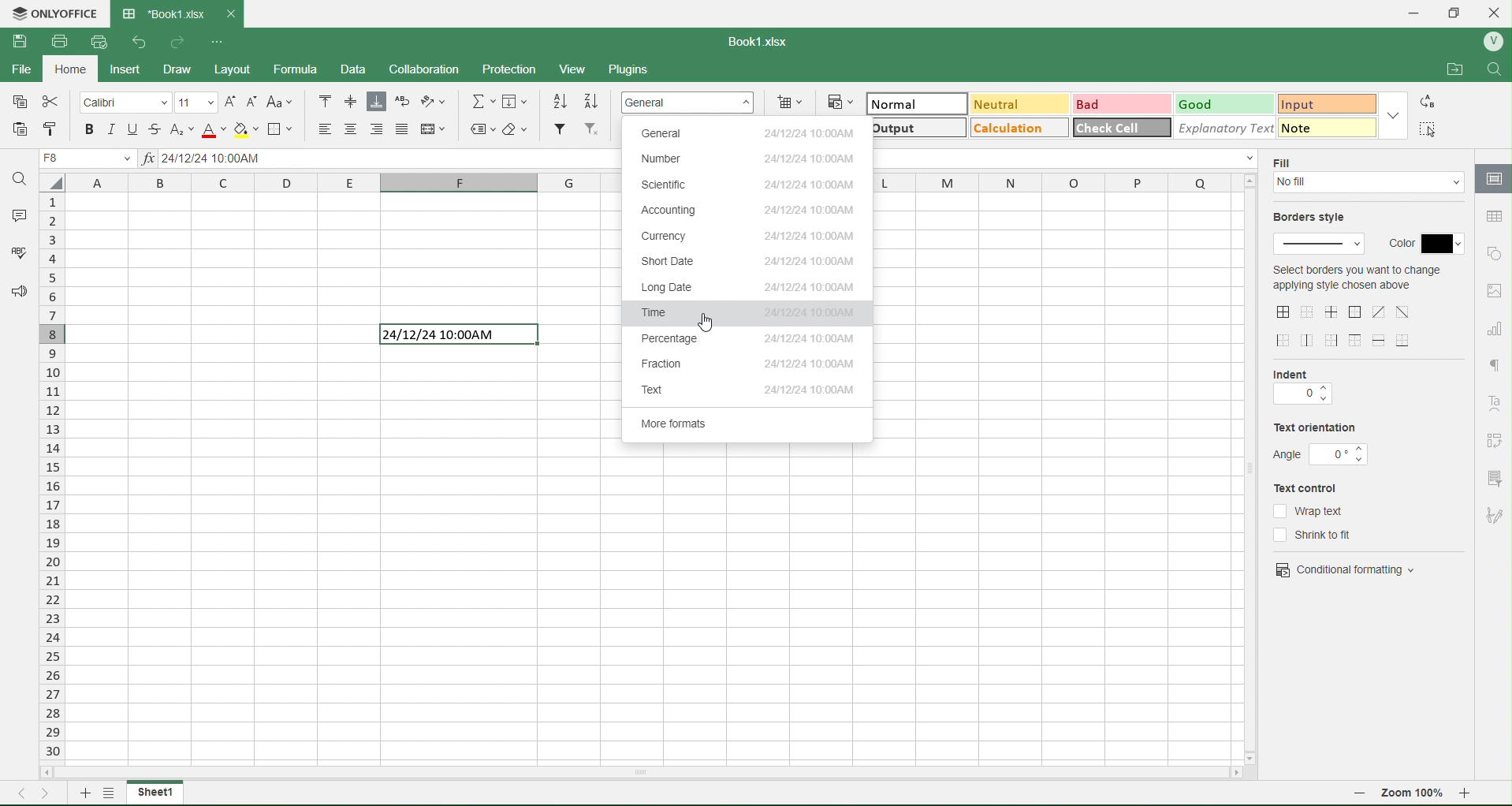  What do you see at coordinates (181, 129) in the screenshot?
I see `Subscript/Superscript` at bounding box center [181, 129].